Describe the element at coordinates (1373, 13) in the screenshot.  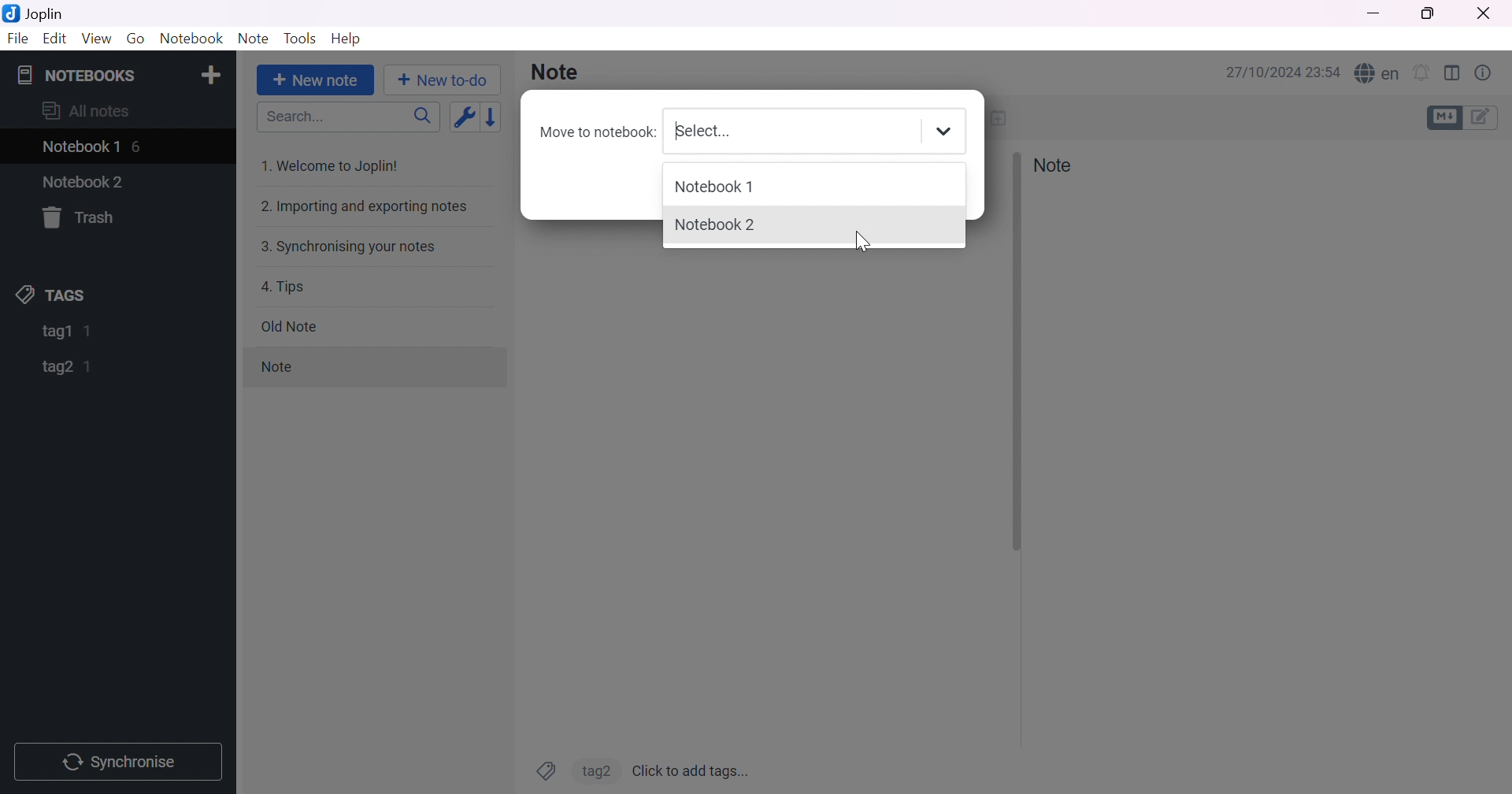
I see `Minimize` at that location.